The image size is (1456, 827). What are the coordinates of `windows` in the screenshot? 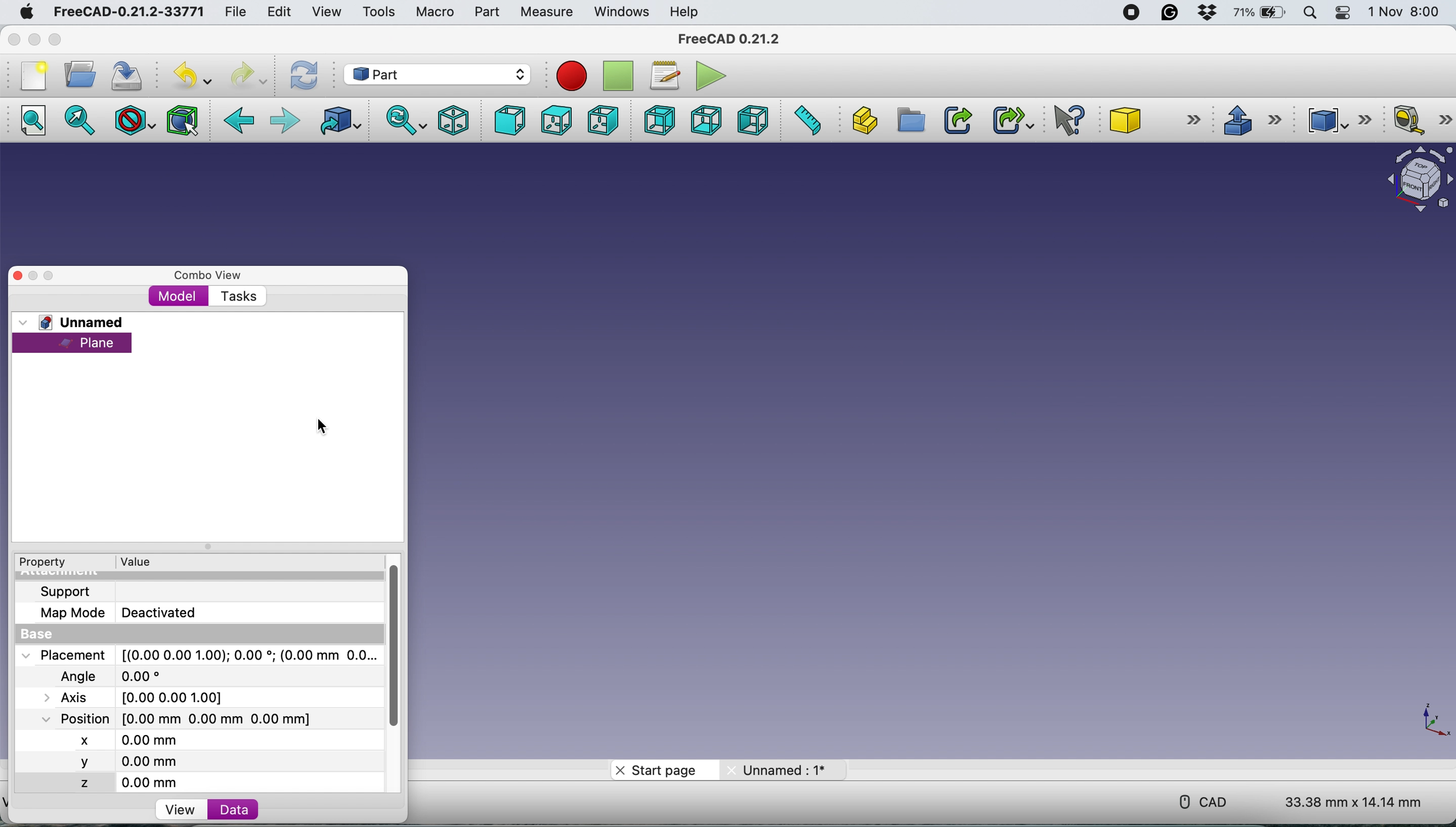 It's located at (623, 12).